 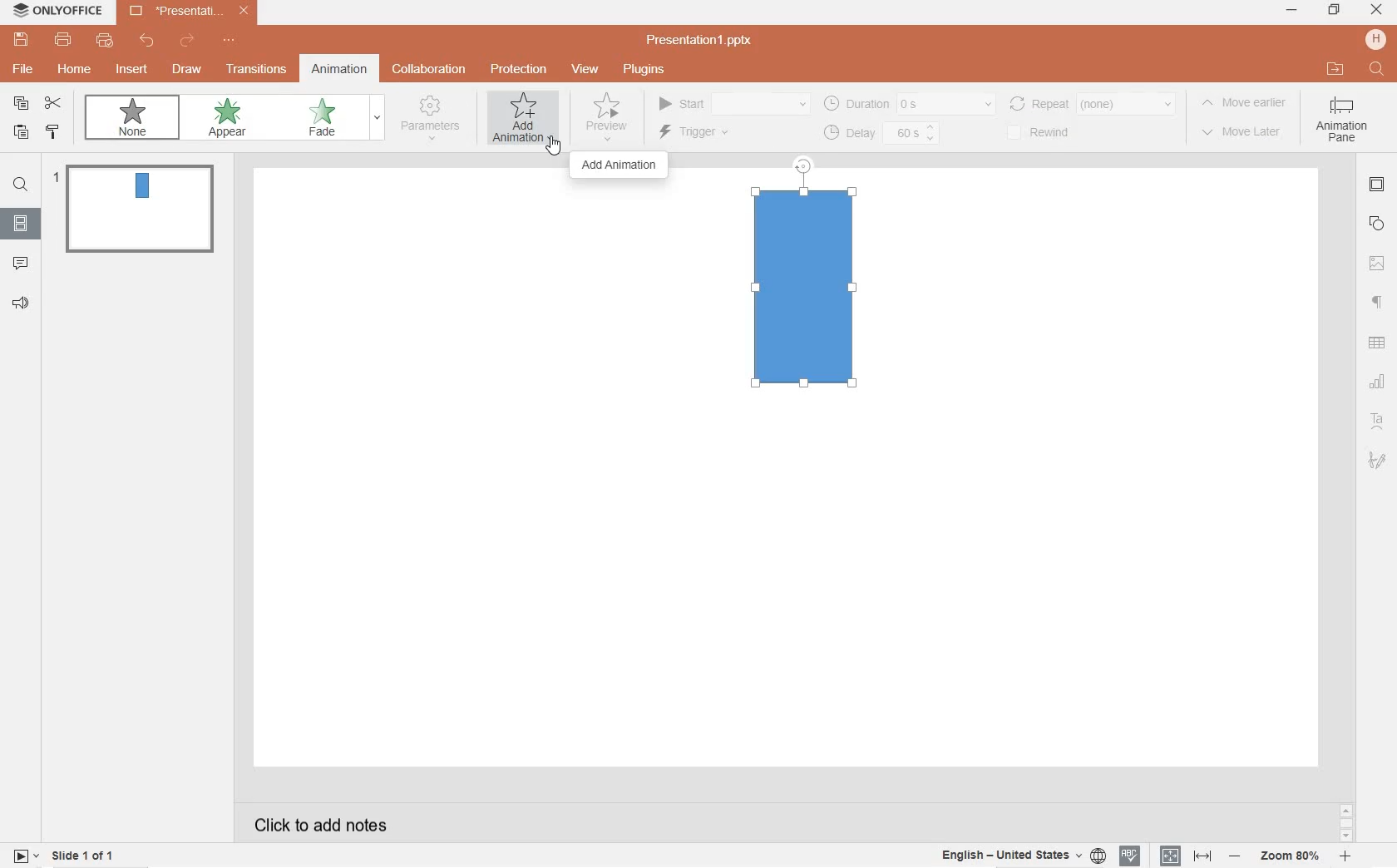 I want to click on save, so click(x=21, y=40).